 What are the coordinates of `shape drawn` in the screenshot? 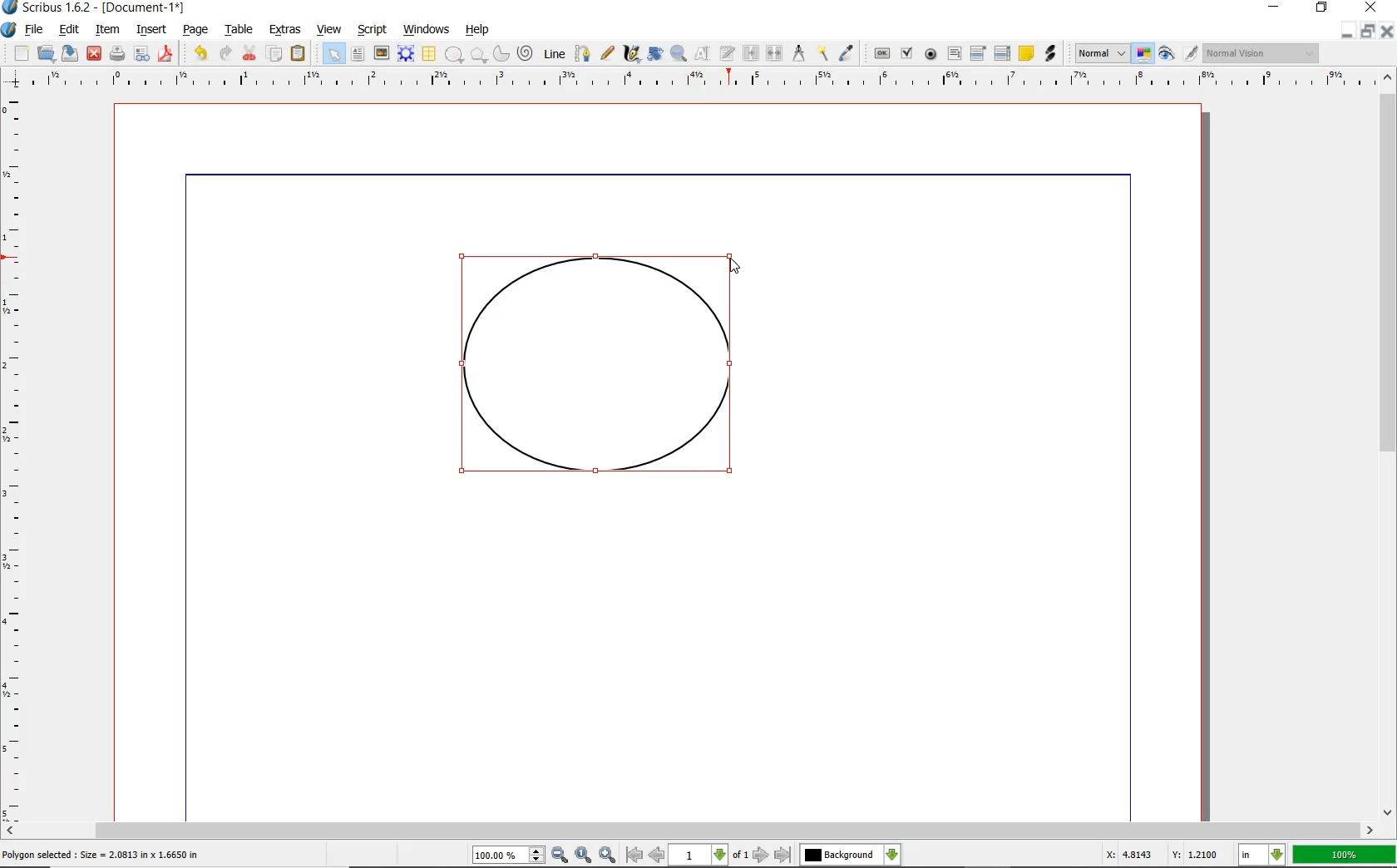 It's located at (600, 374).